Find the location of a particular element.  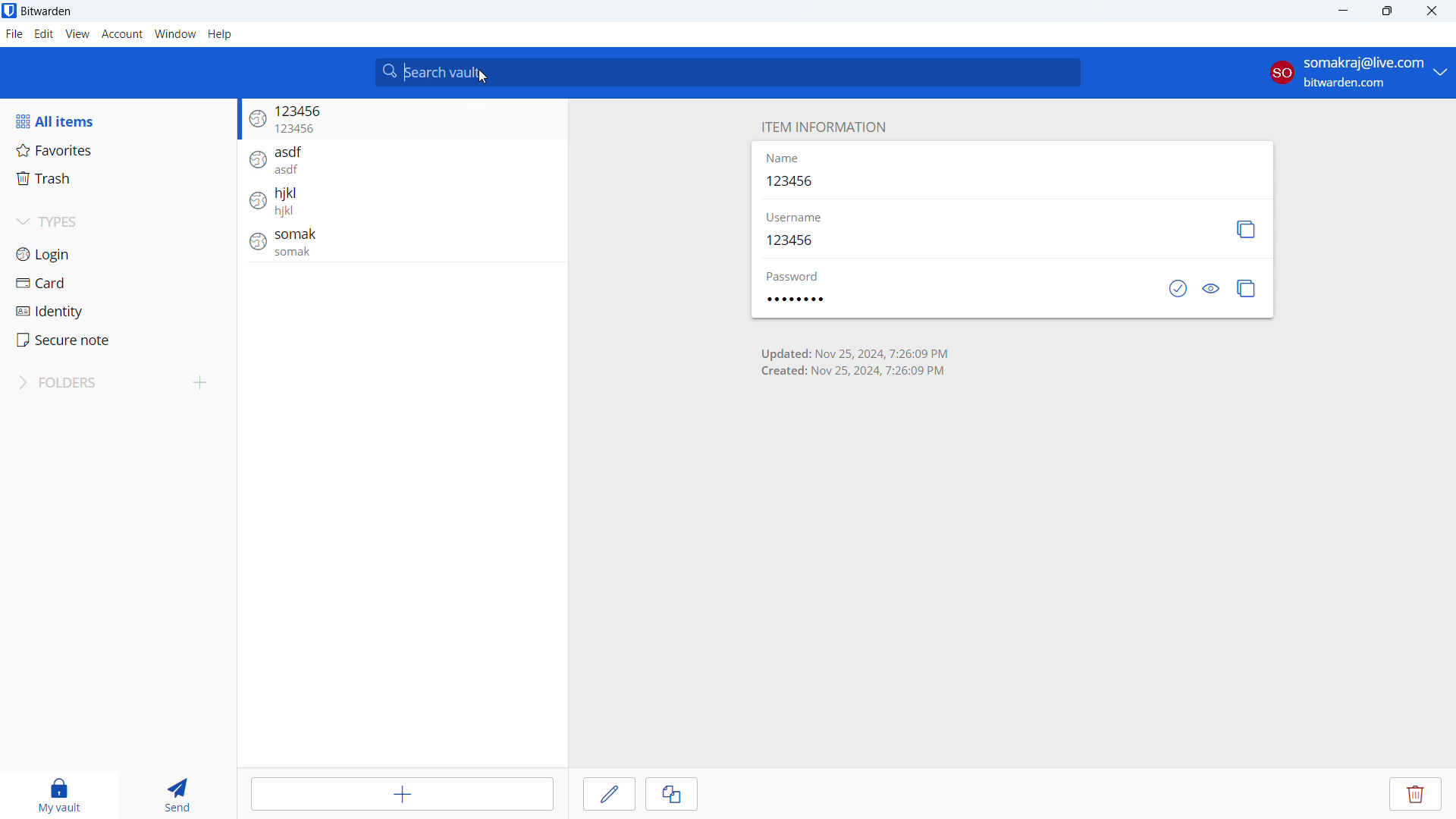

check if password has been exposed is located at coordinates (1180, 289).